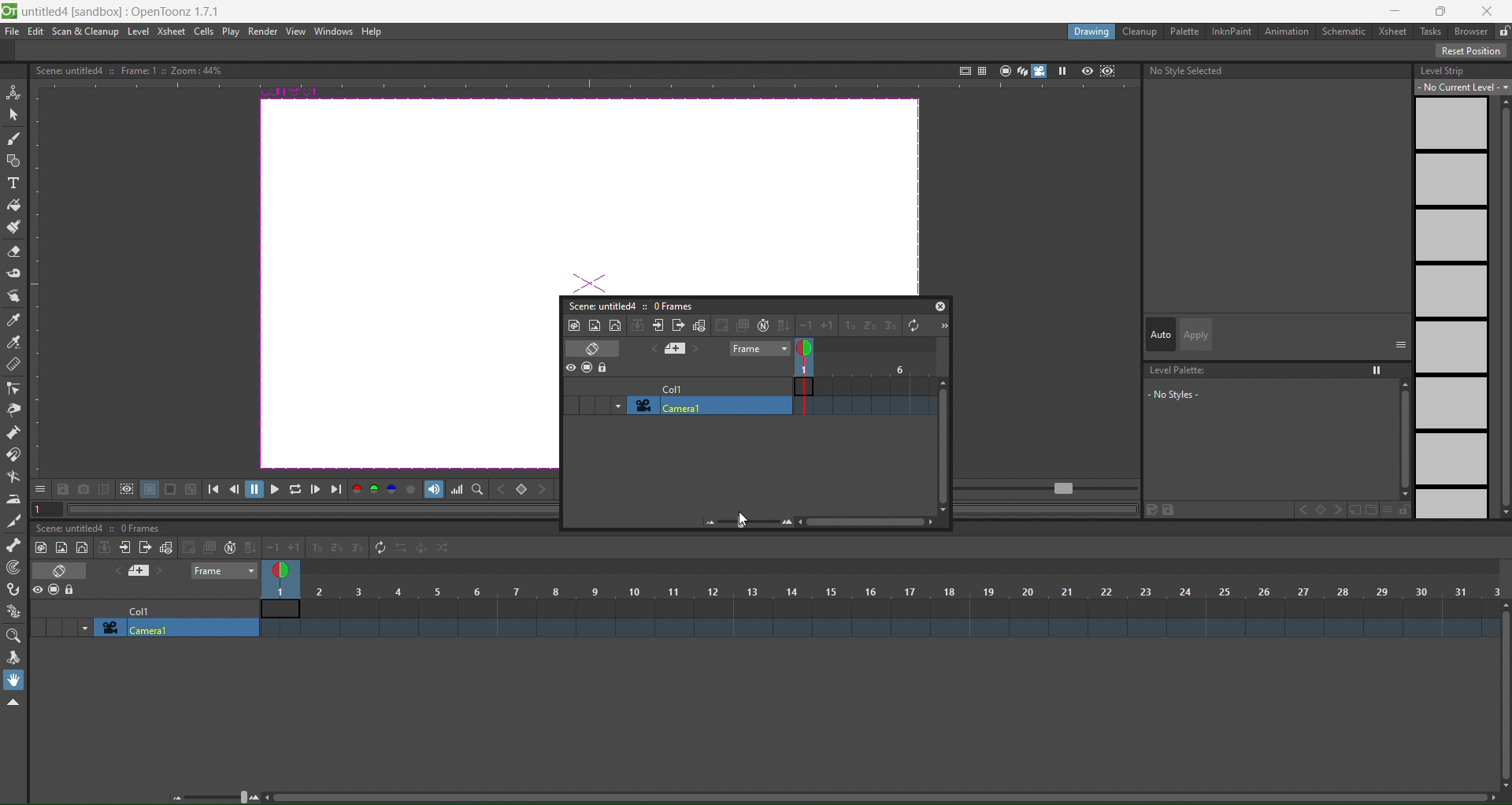 Image resolution: width=1512 pixels, height=805 pixels. Describe the element at coordinates (1232, 30) in the screenshot. I see `inknpaint` at that location.